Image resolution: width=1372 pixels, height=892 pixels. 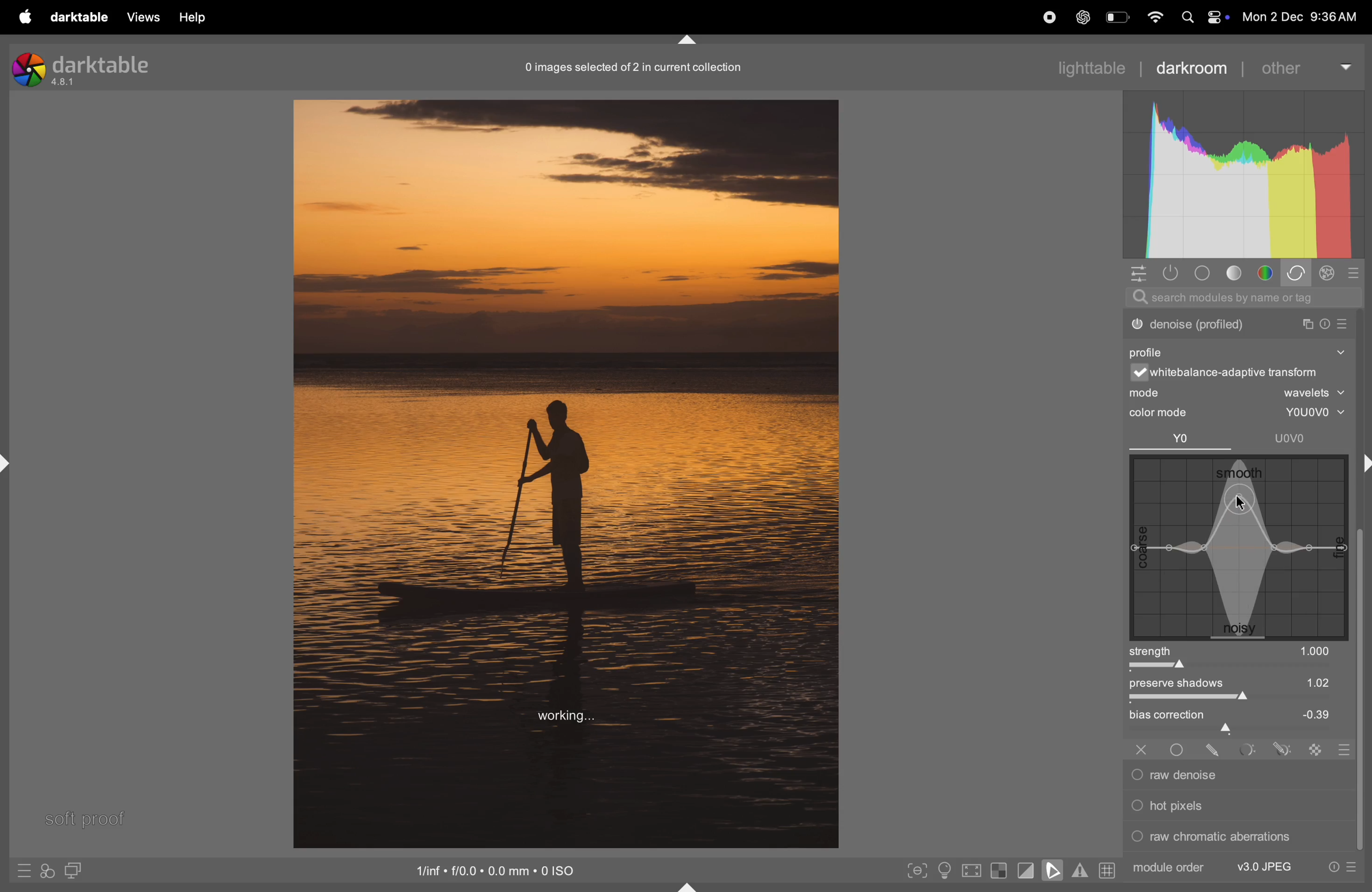 I want to click on colors, so click(x=1267, y=273).